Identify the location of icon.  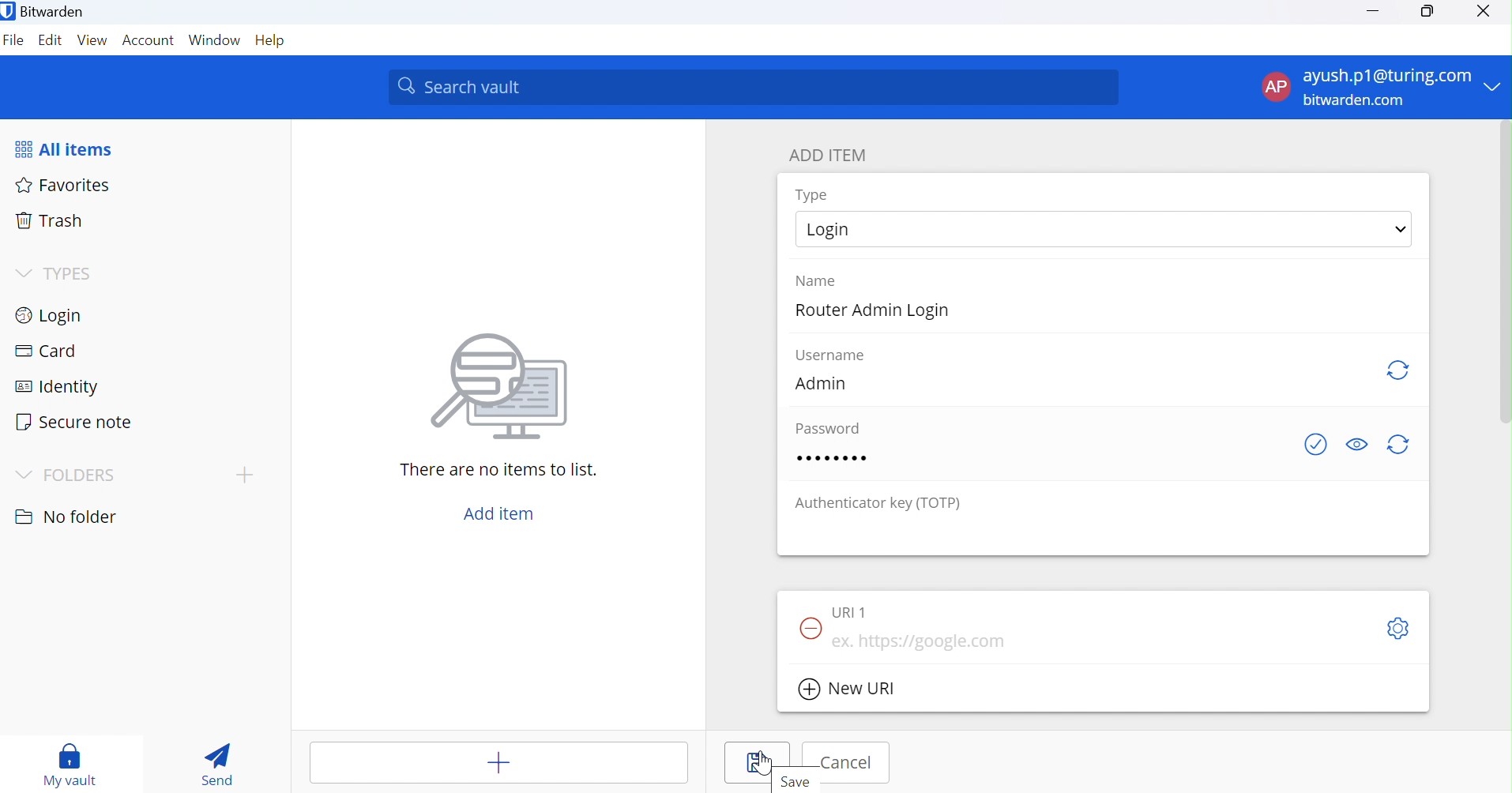
(499, 384).